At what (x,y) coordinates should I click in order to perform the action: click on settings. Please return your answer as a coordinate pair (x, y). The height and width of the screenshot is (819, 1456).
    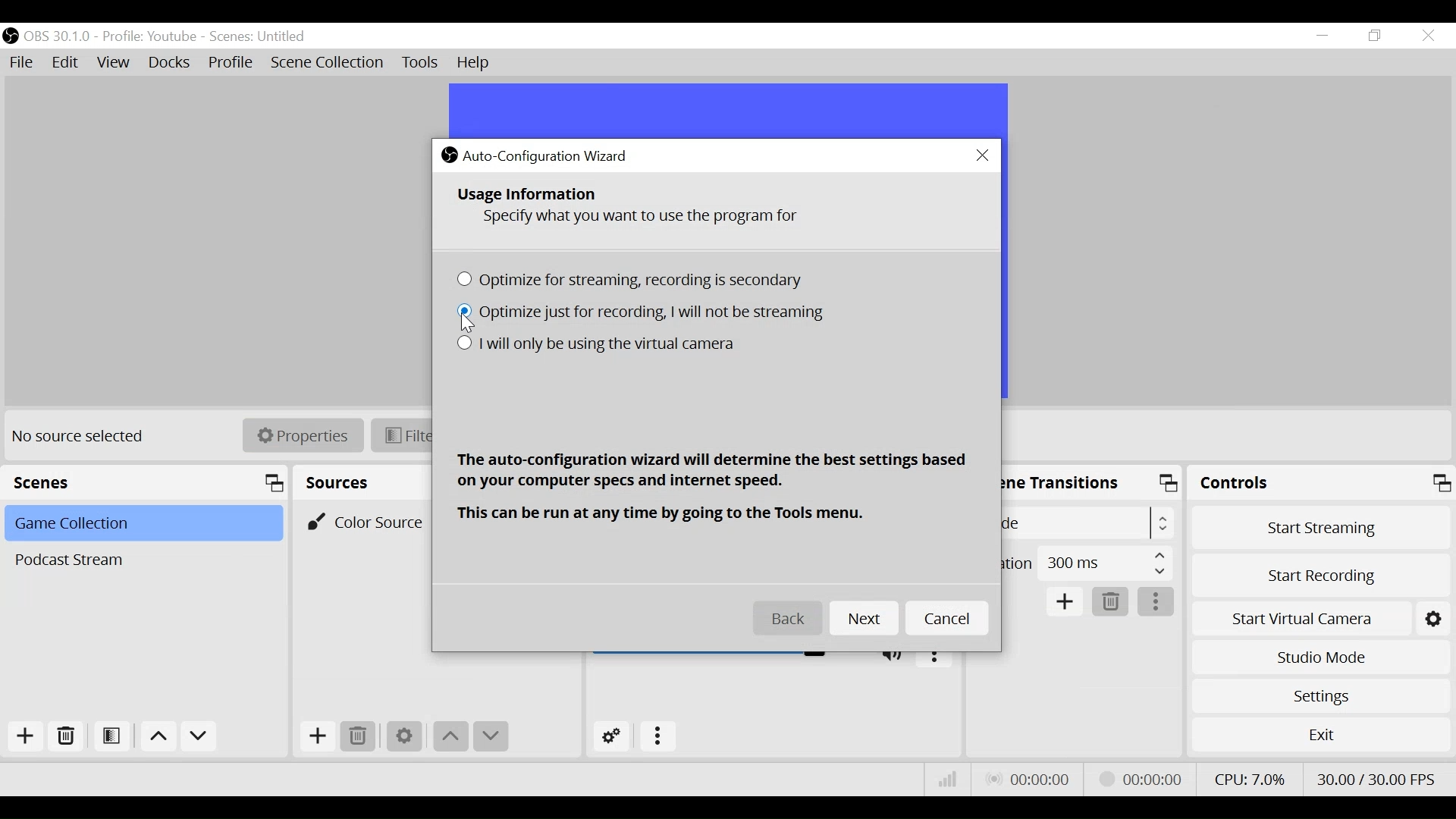
    Looking at the image, I should click on (1436, 617).